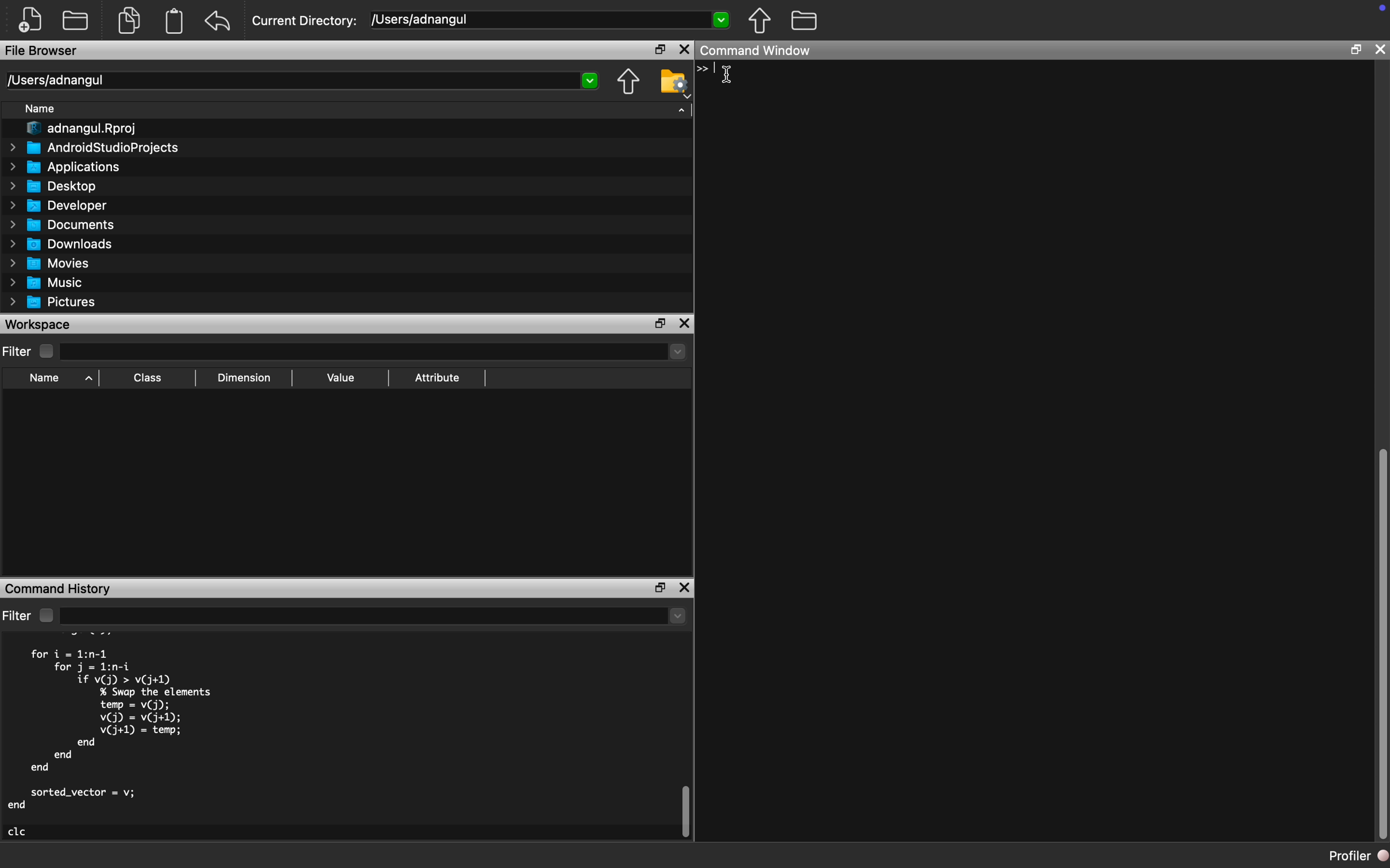  Describe the element at coordinates (59, 206) in the screenshot. I see `Developer` at that location.